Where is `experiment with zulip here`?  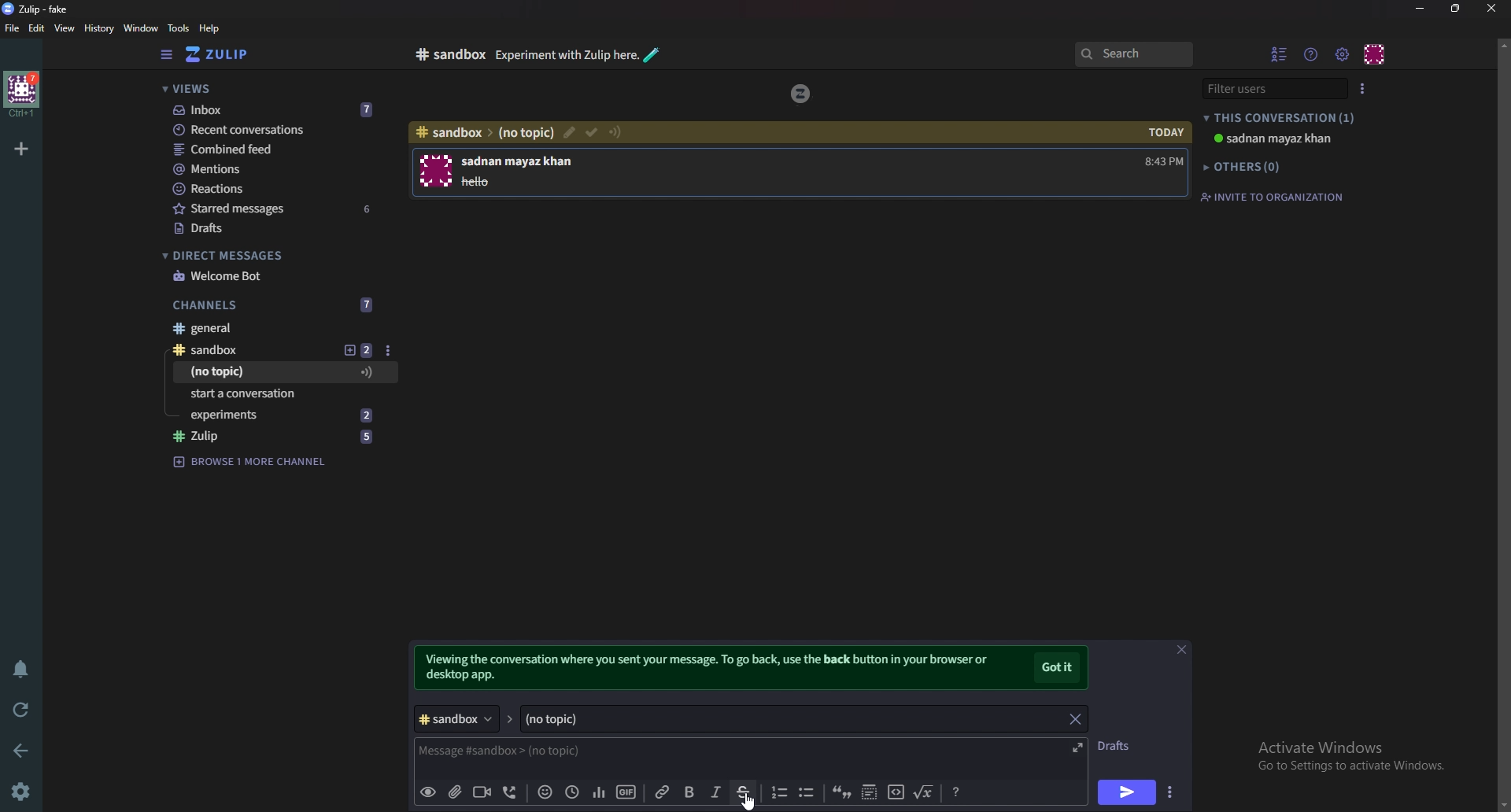
experiment with zulip here is located at coordinates (580, 56).